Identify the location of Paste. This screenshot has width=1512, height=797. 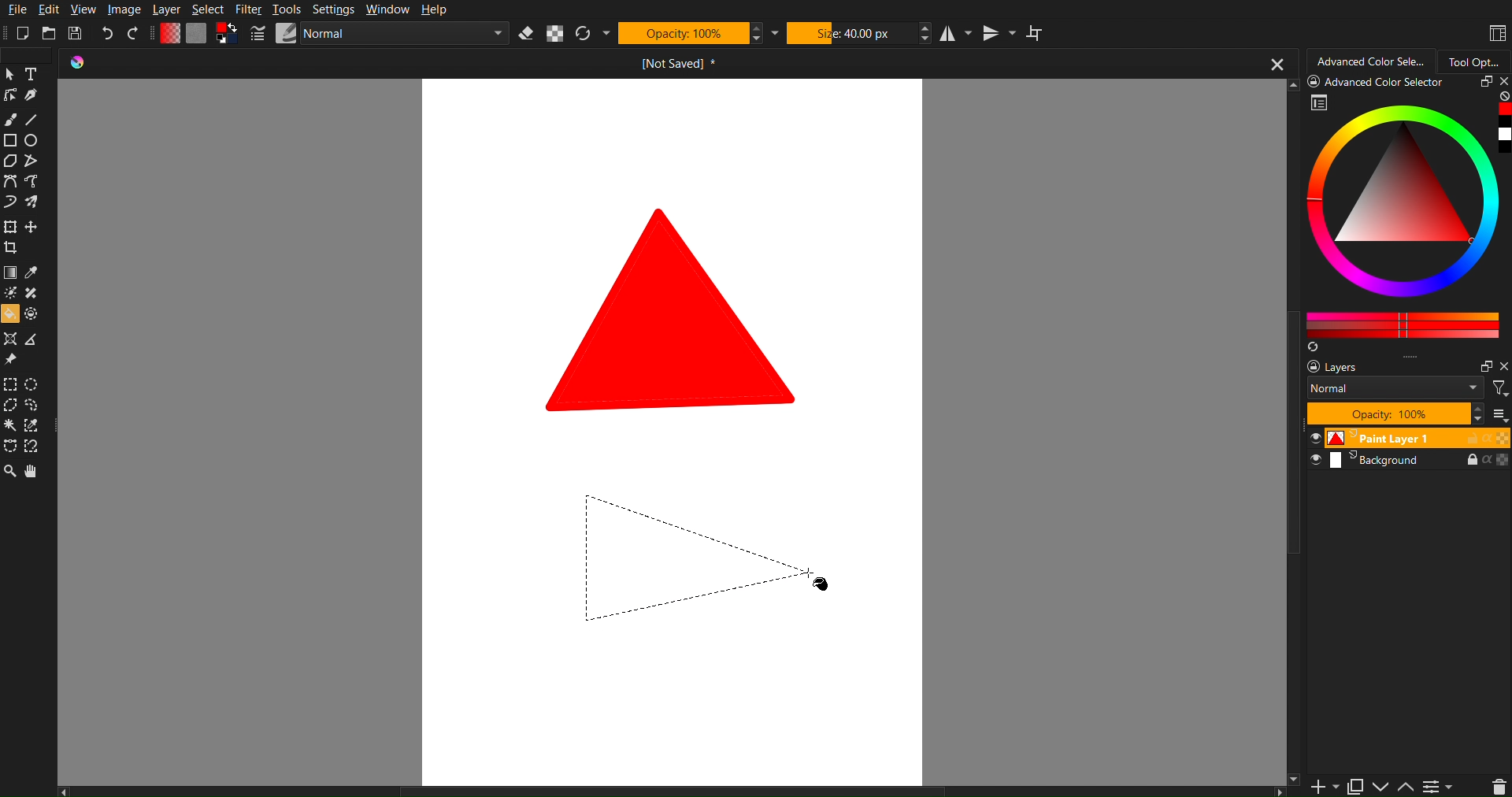
(1354, 784).